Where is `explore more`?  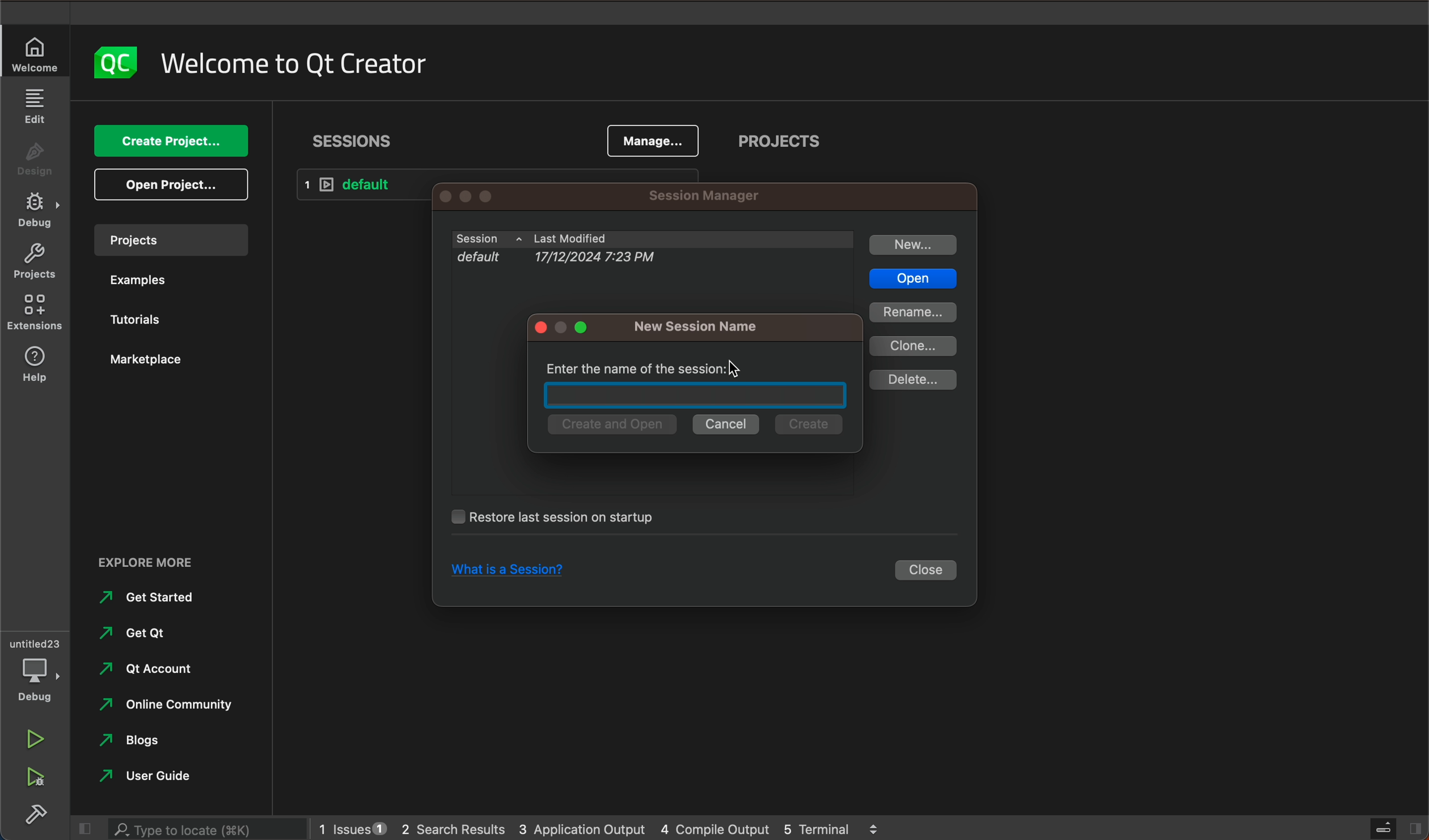 explore more is located at coordinates (168, 554).